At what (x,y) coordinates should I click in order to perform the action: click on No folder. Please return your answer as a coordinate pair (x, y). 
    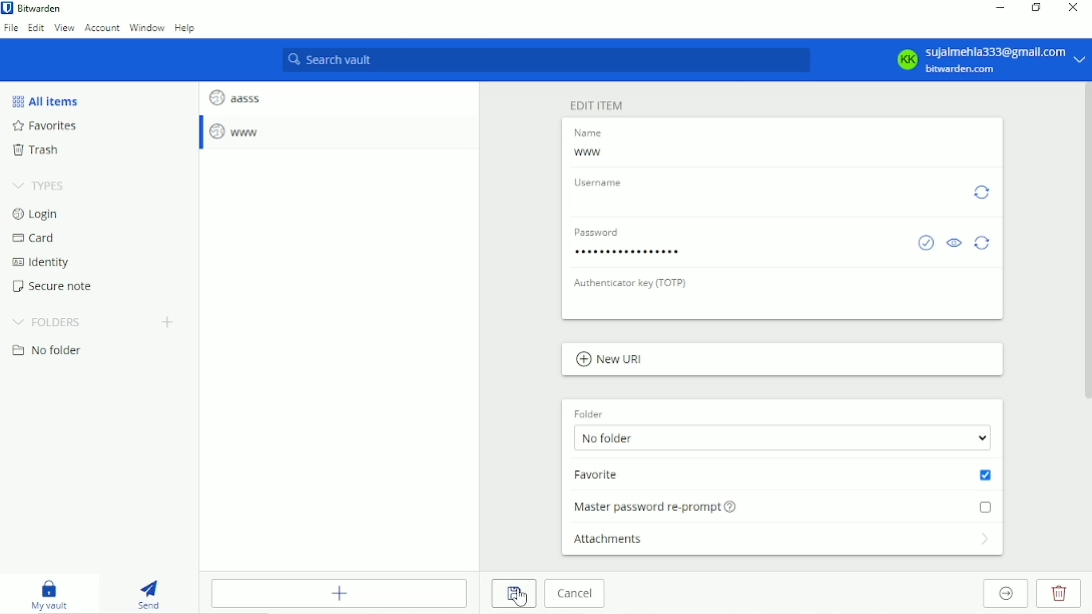
    Looking at the image, I should click on (784, 439).